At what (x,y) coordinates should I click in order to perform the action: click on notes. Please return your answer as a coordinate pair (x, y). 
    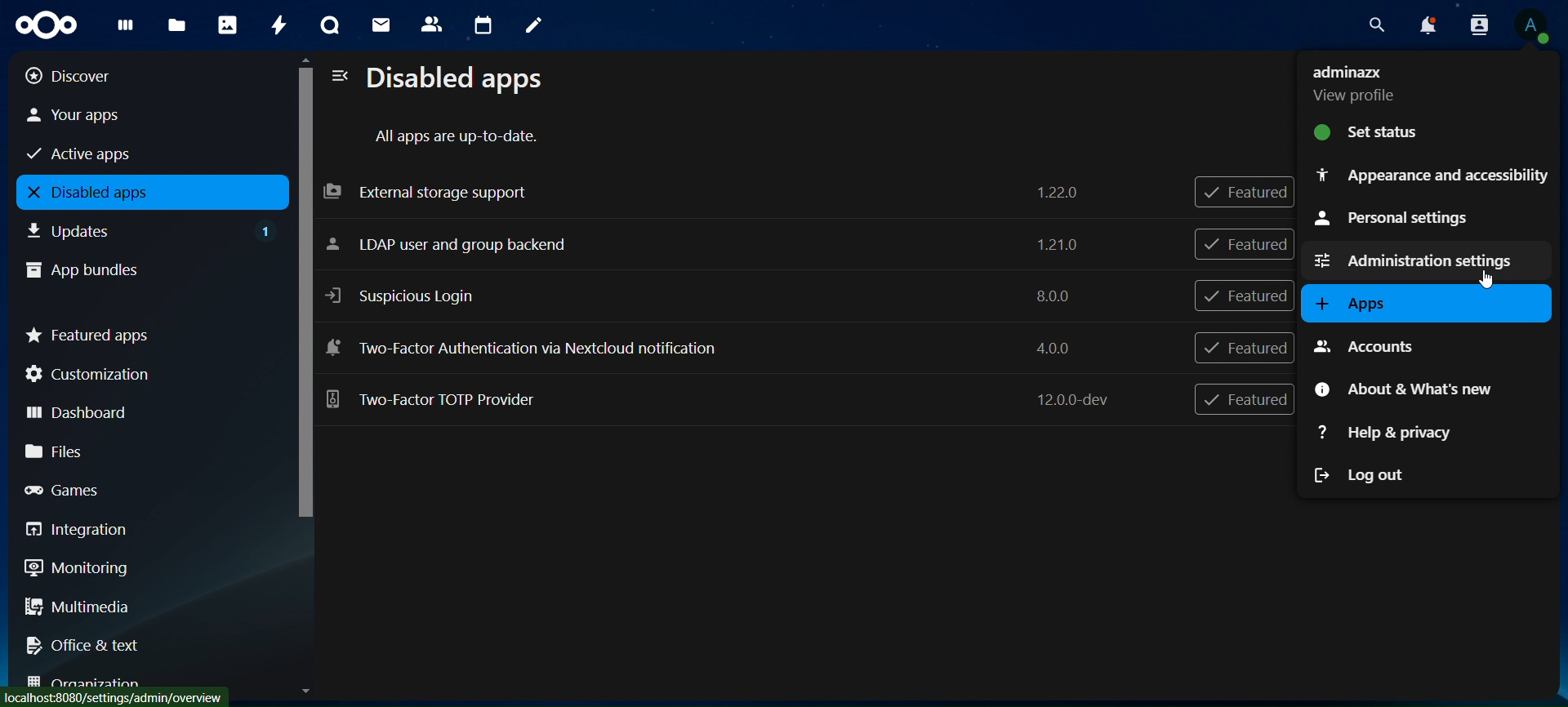
    Looking at the image, I should click on (529, 23).